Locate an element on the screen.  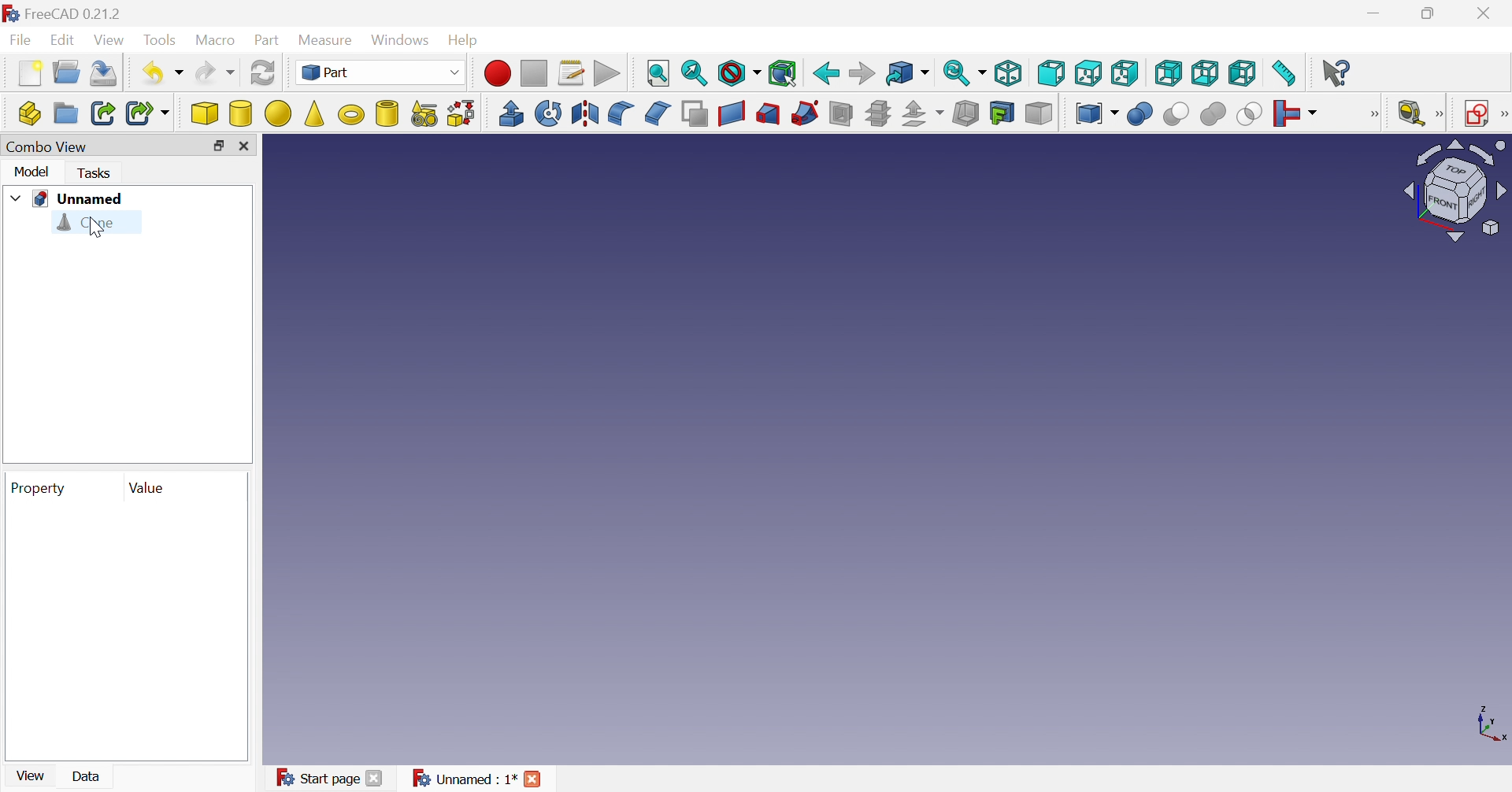
What's this? is located at coordinates (1338, 74).